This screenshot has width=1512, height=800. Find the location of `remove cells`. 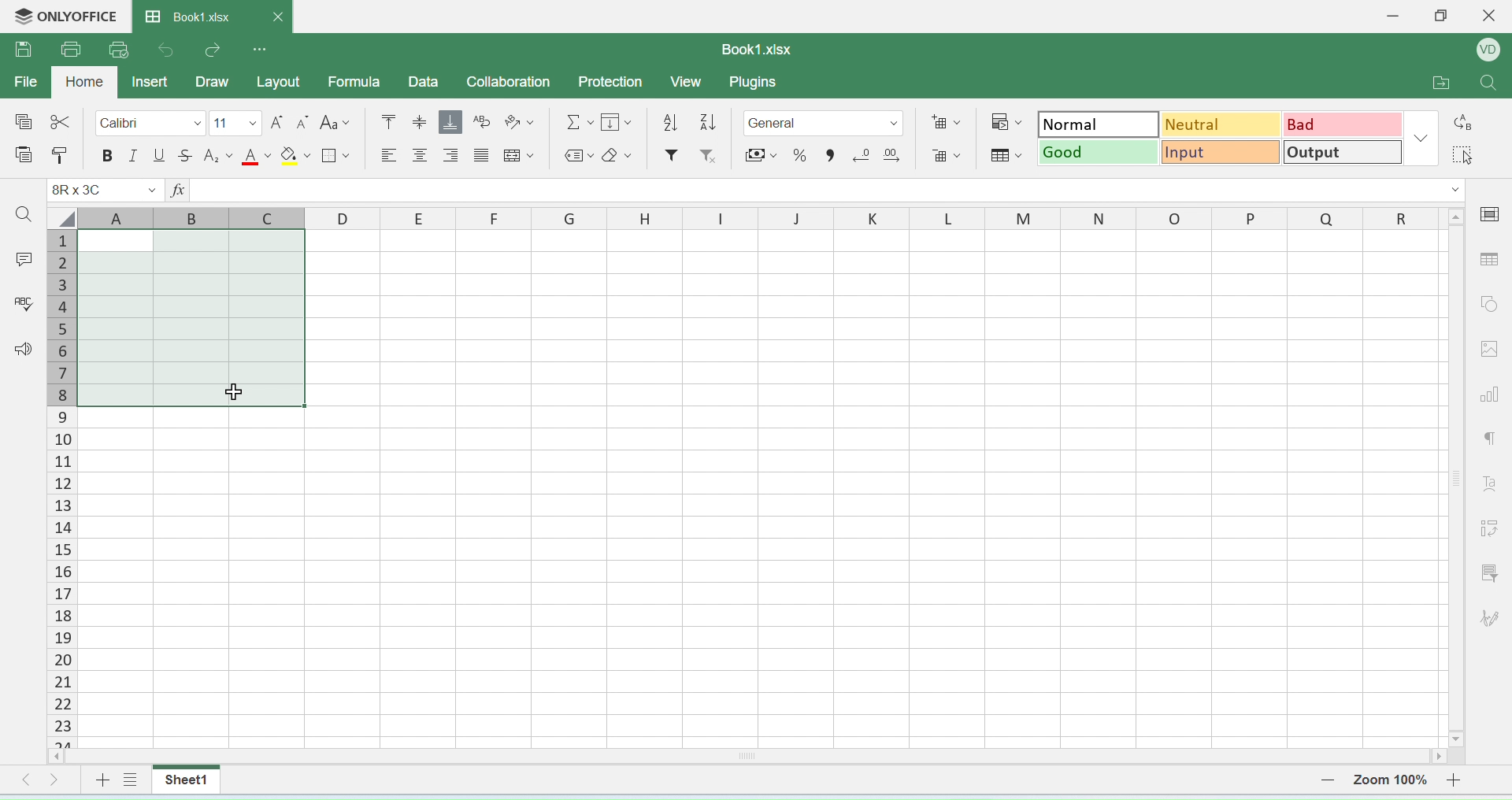

remove cells is located at coordinates (947, 152).